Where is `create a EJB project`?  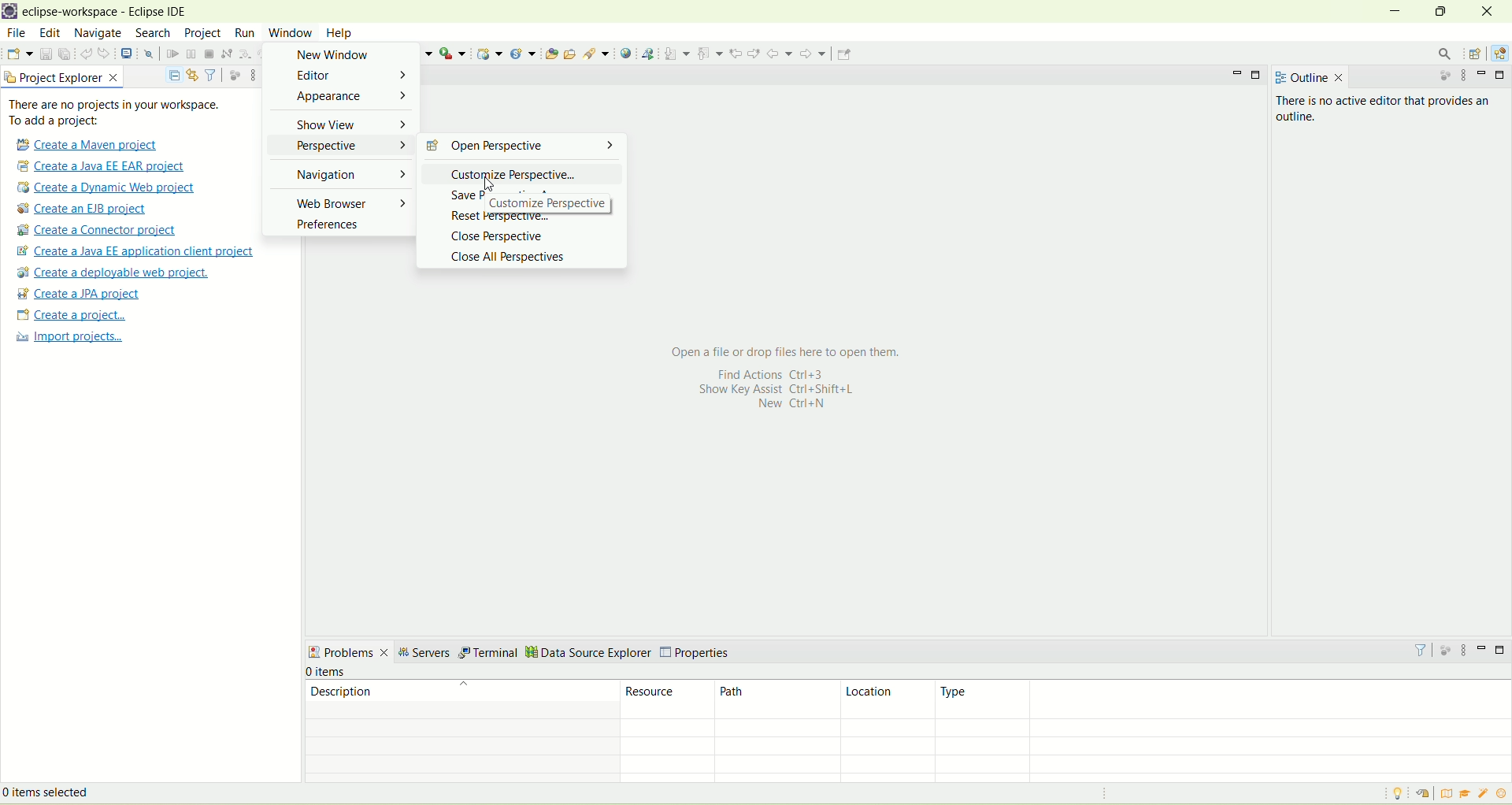
create a EJB project is located at coordinates (86, 210).